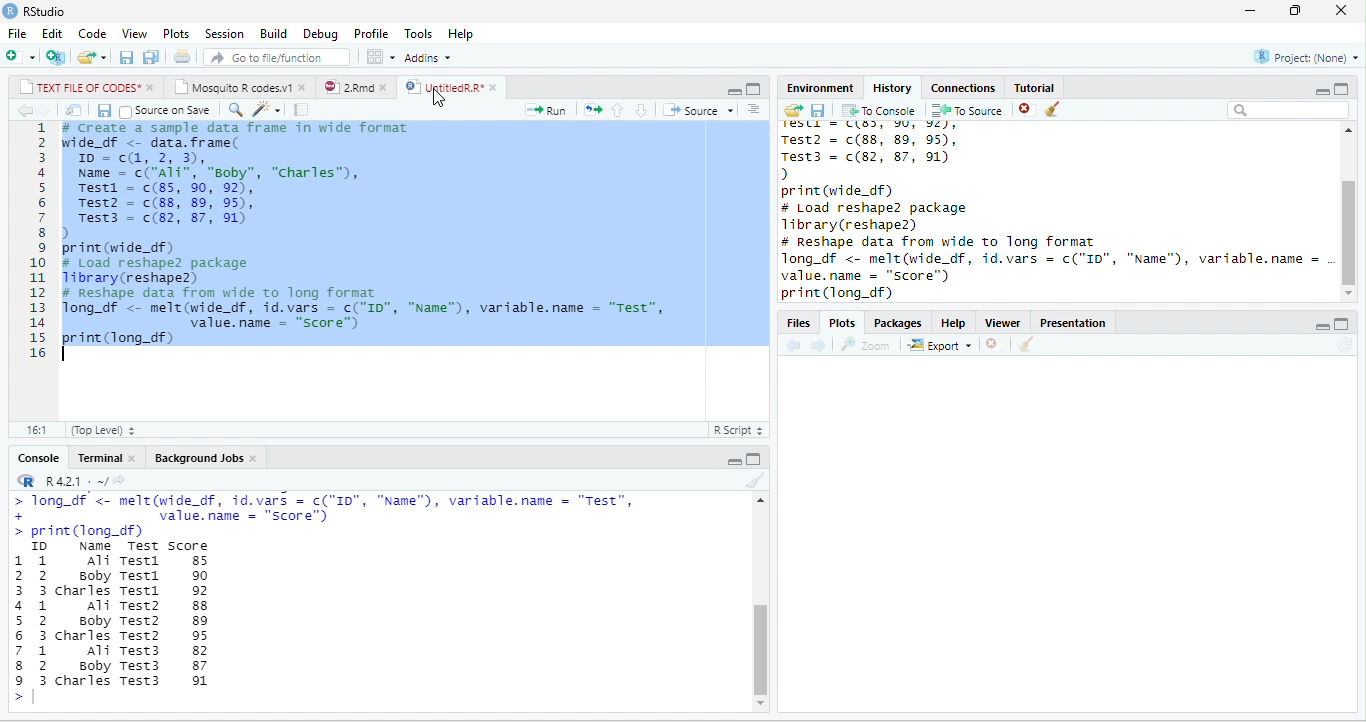 The image size is (1366, 722). What do you see at coordinates (177, 34) in the screenshot?
I see `Plots` at bounding box center [177, 34].